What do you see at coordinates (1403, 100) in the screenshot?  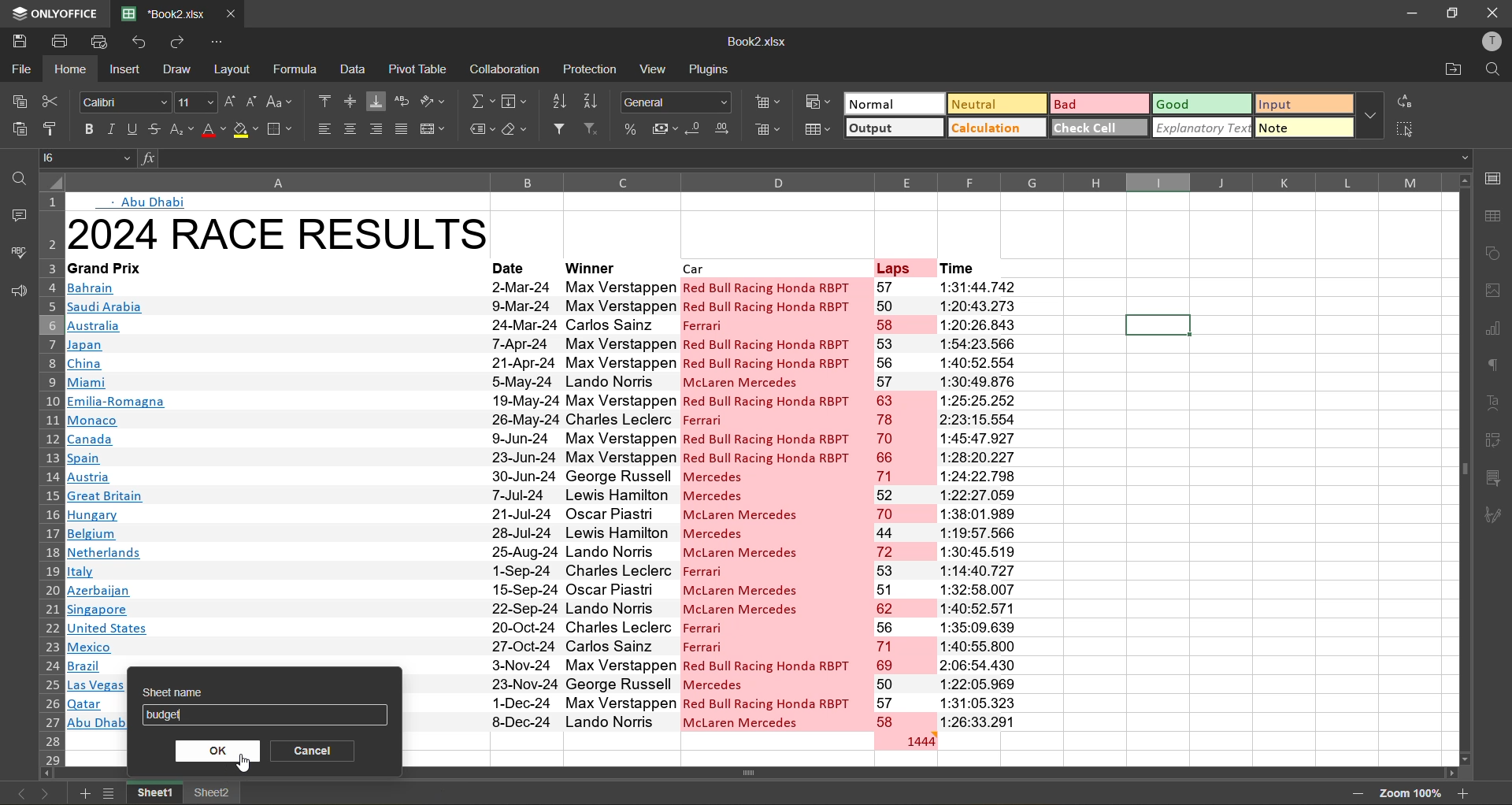 I see `replace` at bounding box center [1403, 100].